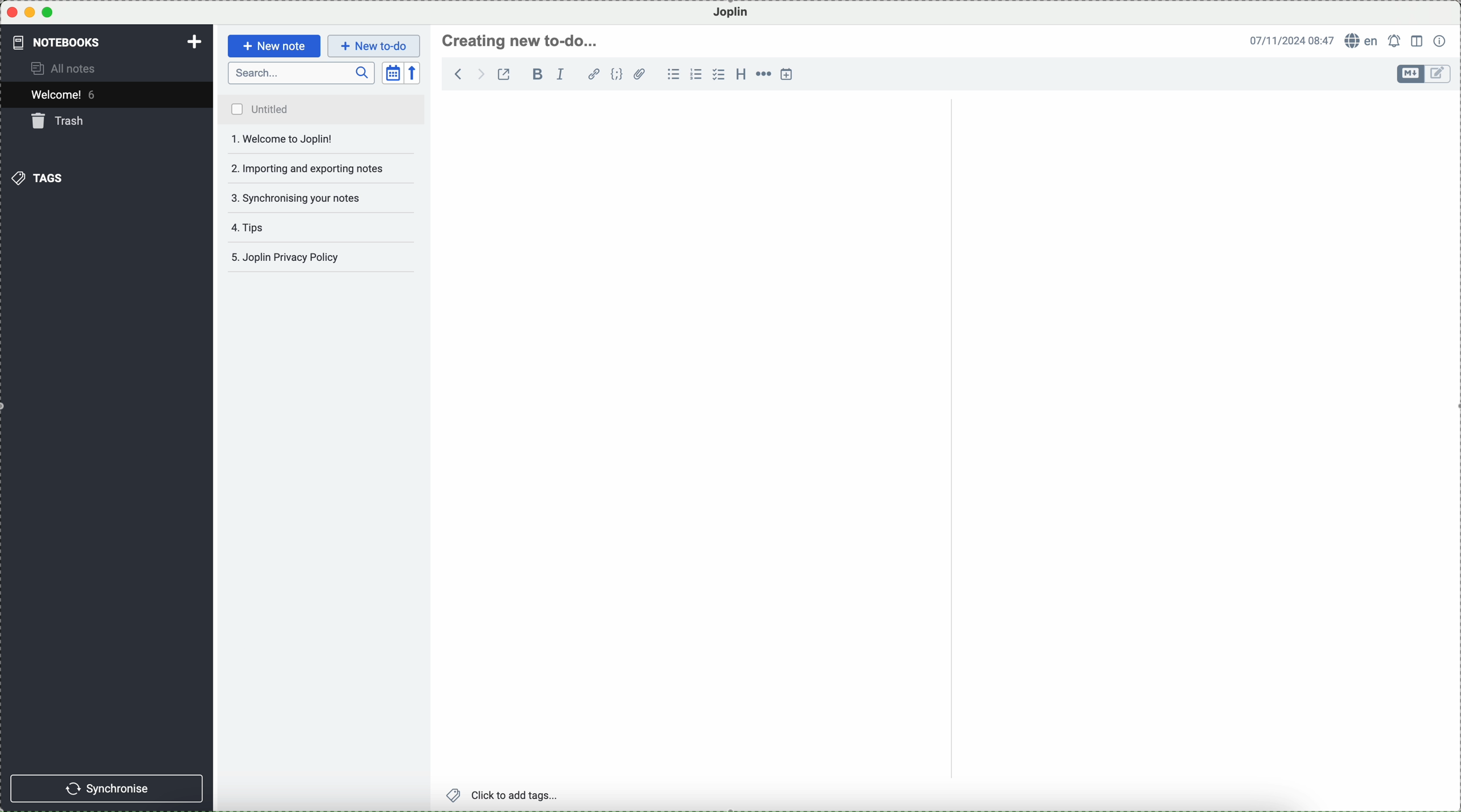 This screenshot has width=1461, height=812. What do you see at coordinates (323, 168) in the screenshot?
I see `importing and exporting notes` at bounding box center [323, 168].